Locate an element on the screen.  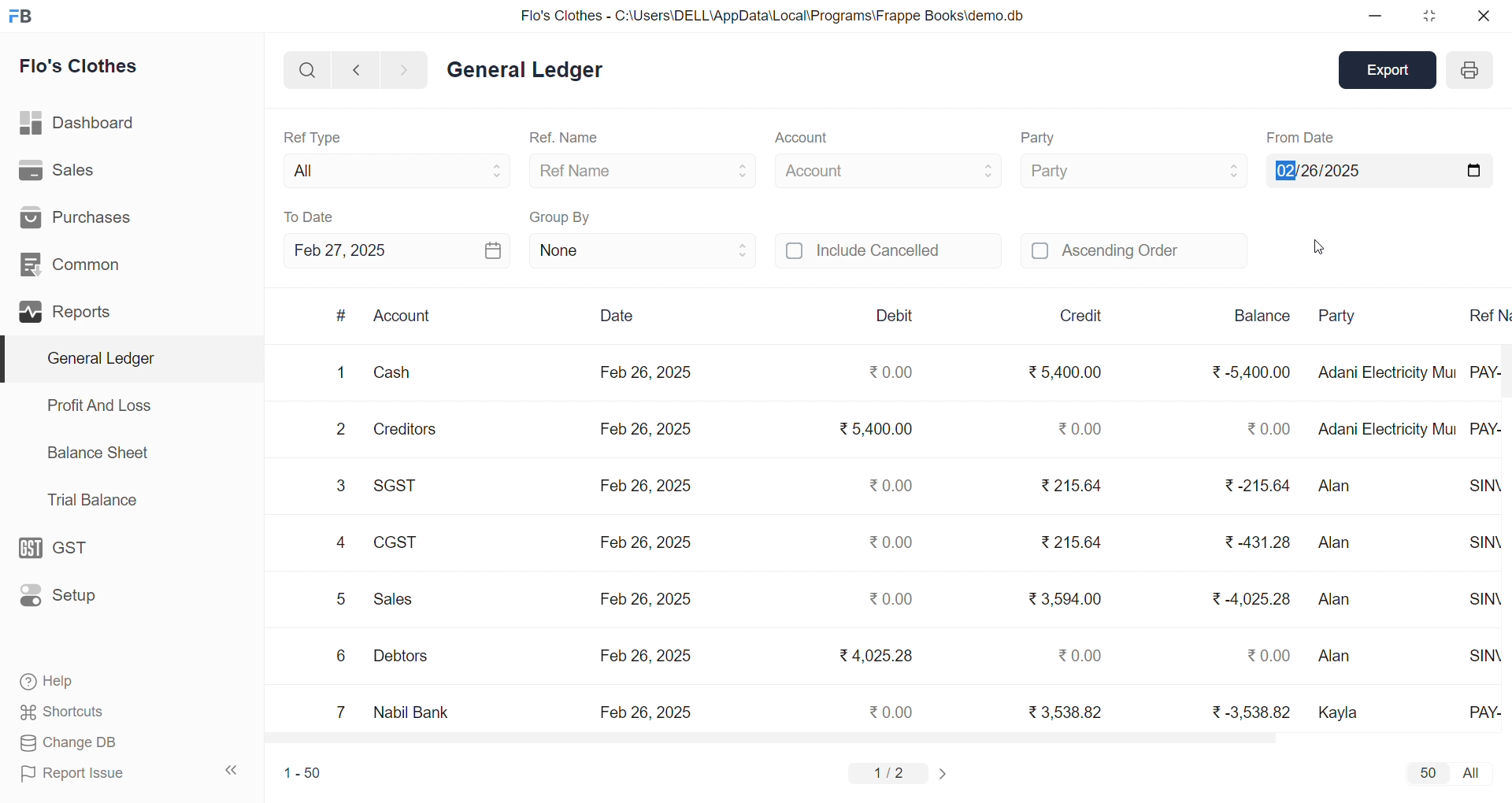
₹ 3,594.00 is located at coordinates (1066, 597).